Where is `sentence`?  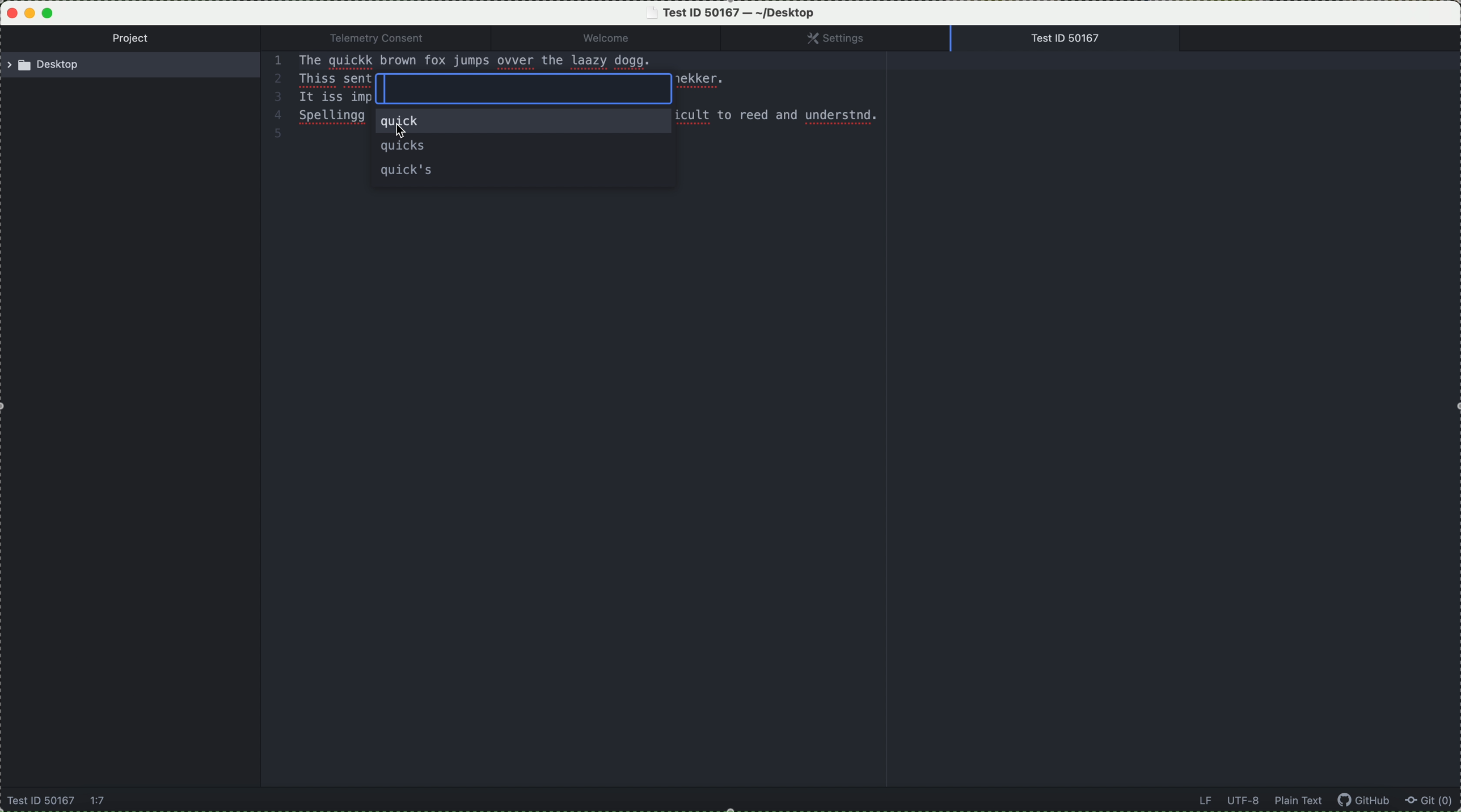
sentence is located at coordinates (518, 61).